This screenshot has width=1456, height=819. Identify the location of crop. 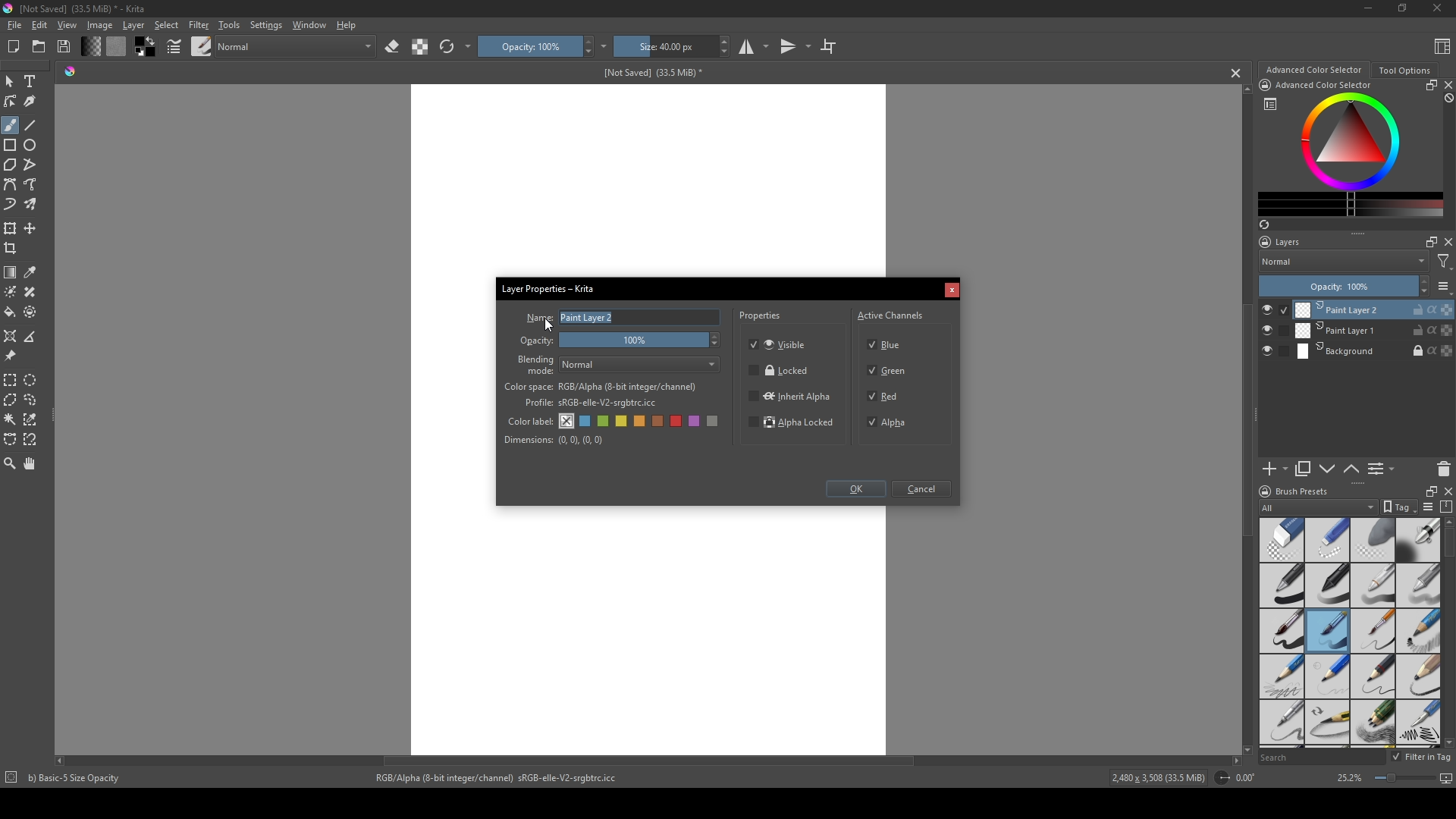
(828, 45).